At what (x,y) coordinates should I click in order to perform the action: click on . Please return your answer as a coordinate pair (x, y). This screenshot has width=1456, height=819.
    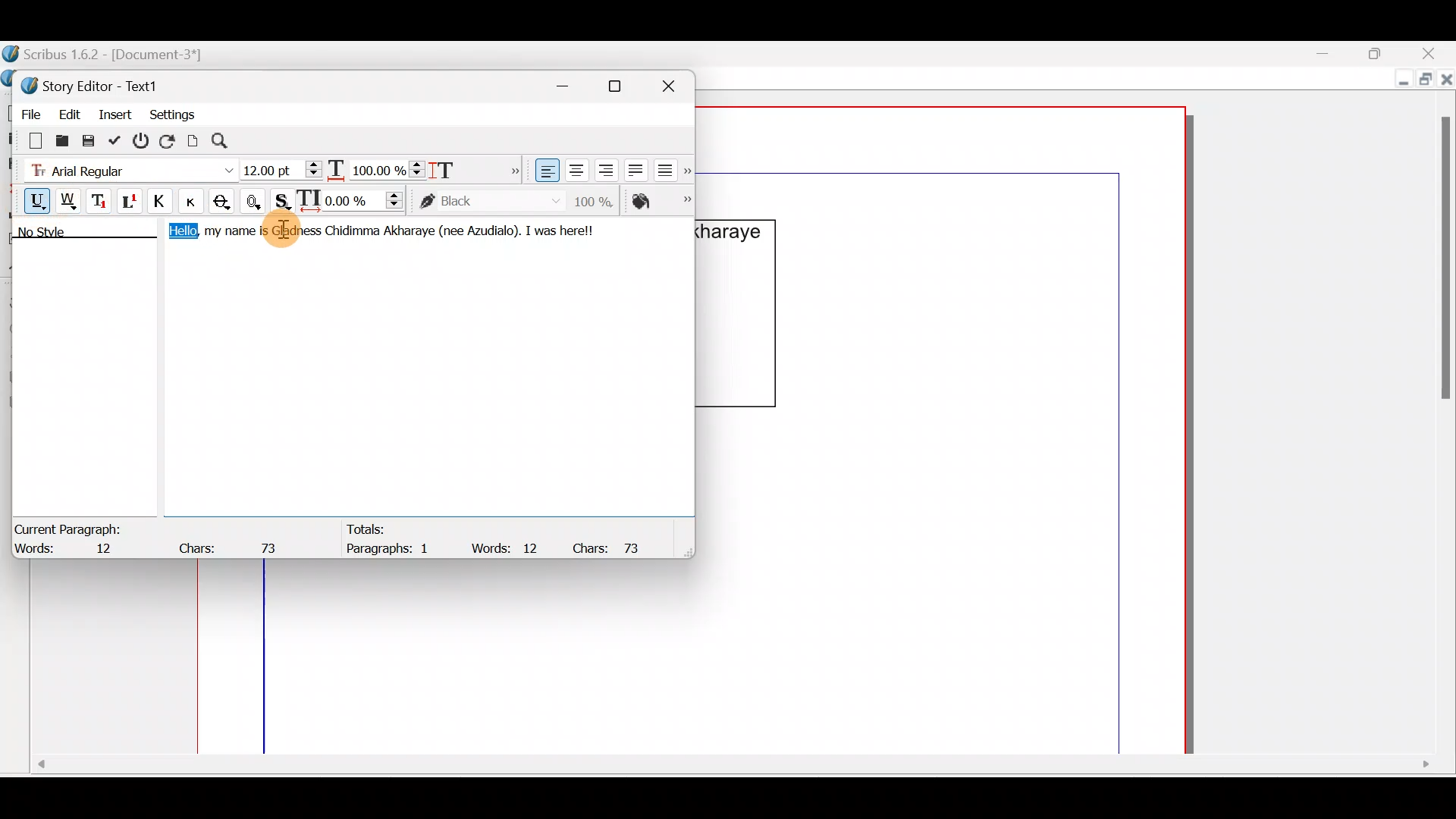
    Looking at the image, I should click on (196, 201).